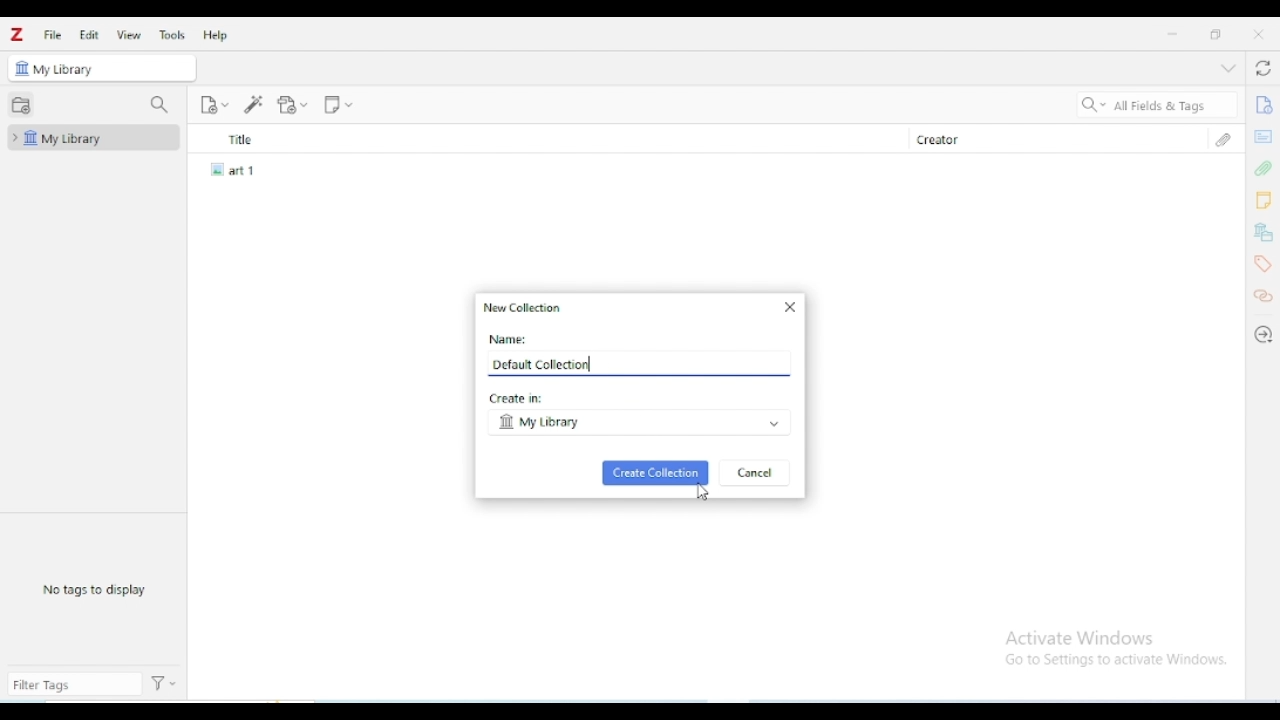  Describe the element at coordinates (1119, 660) in the screenshot. I see `Go to Settings to activate Windows.` at that location.